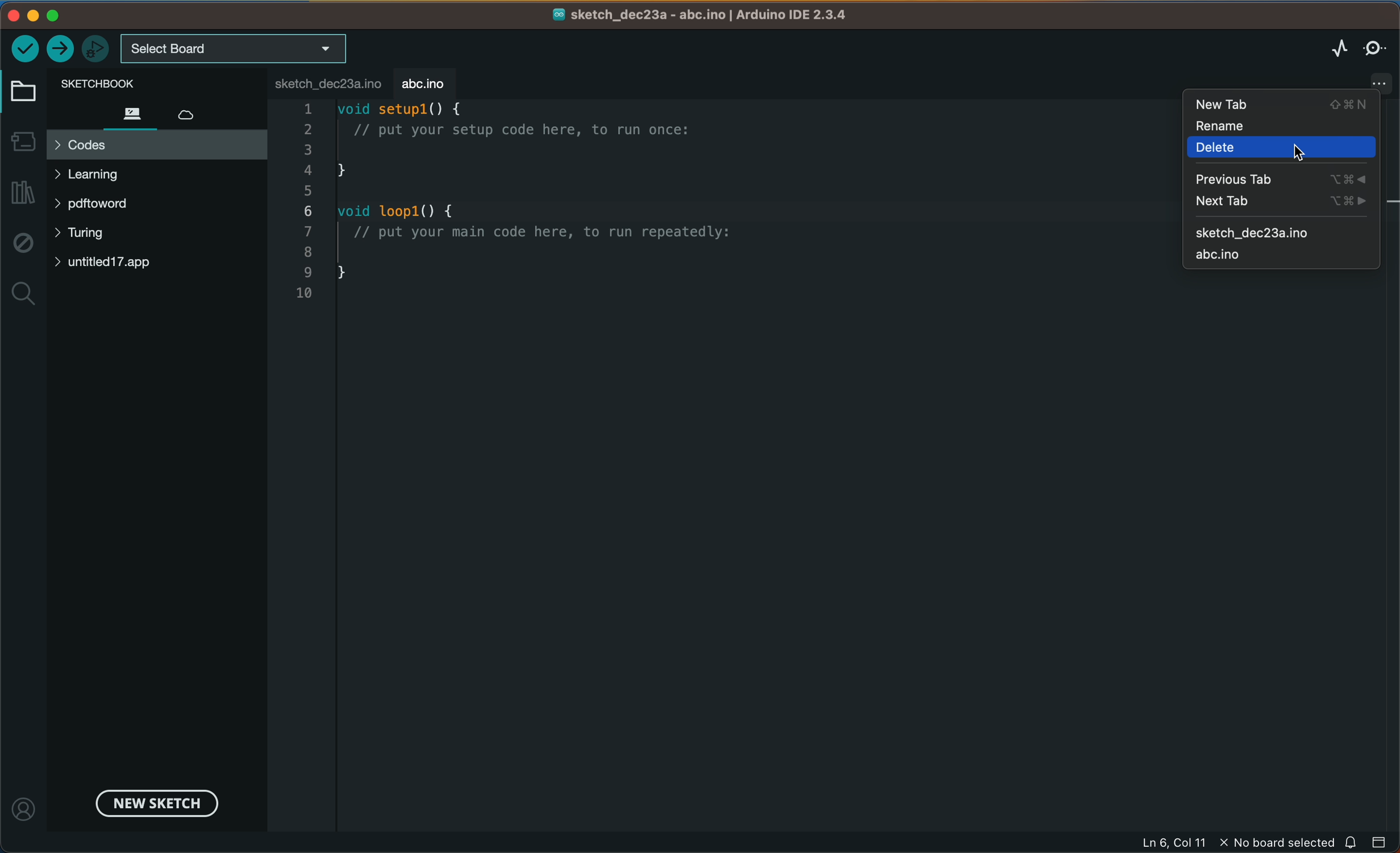 The height and width of the screenshot is (853, 1400). I want to click on board manager, so click(23, 141).